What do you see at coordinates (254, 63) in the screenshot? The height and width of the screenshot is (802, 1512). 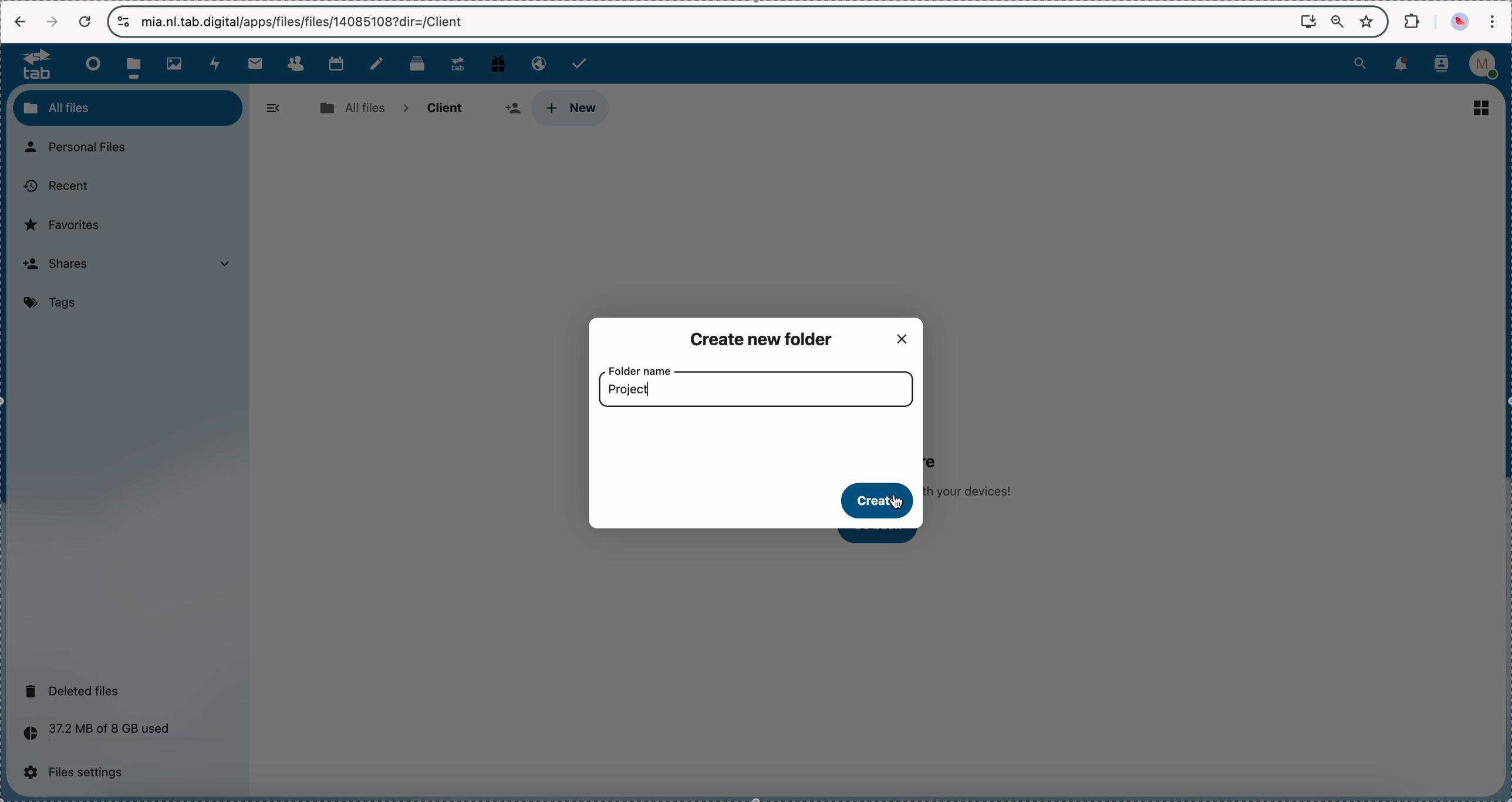 I see `mail` at bounding box center [254, 63].